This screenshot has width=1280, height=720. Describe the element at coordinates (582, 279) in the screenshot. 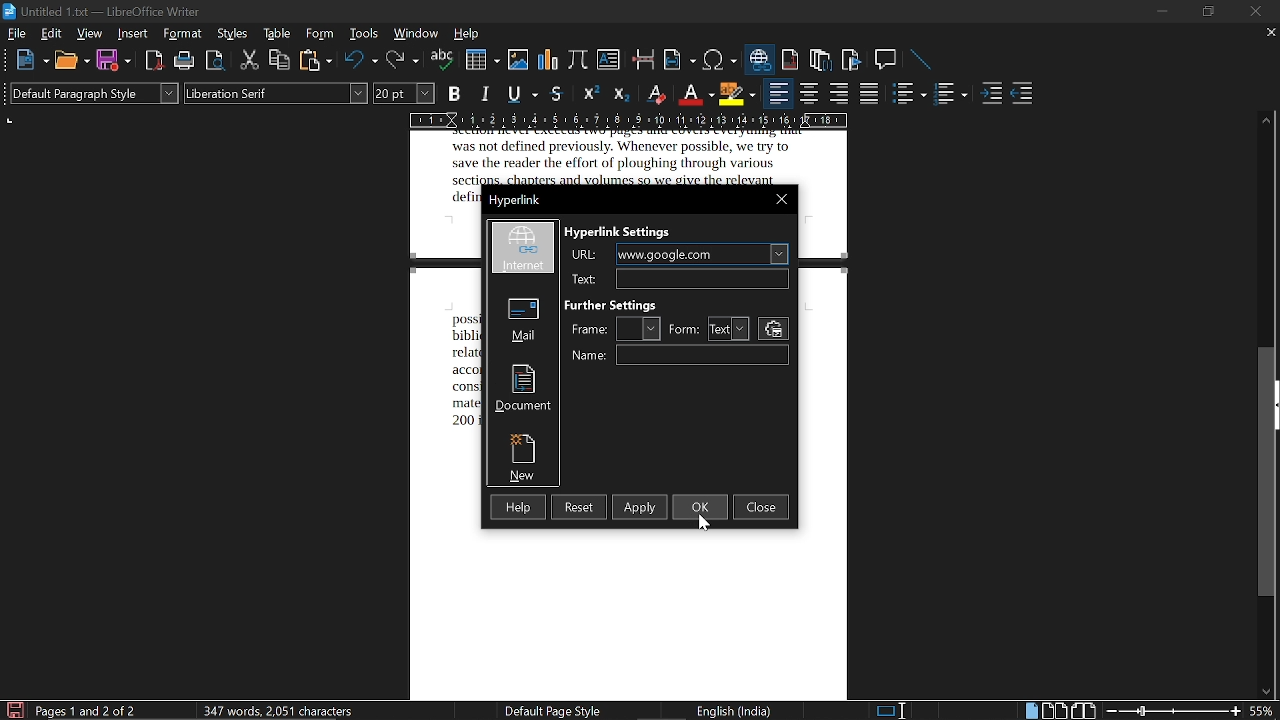

I see `Url` at that location.